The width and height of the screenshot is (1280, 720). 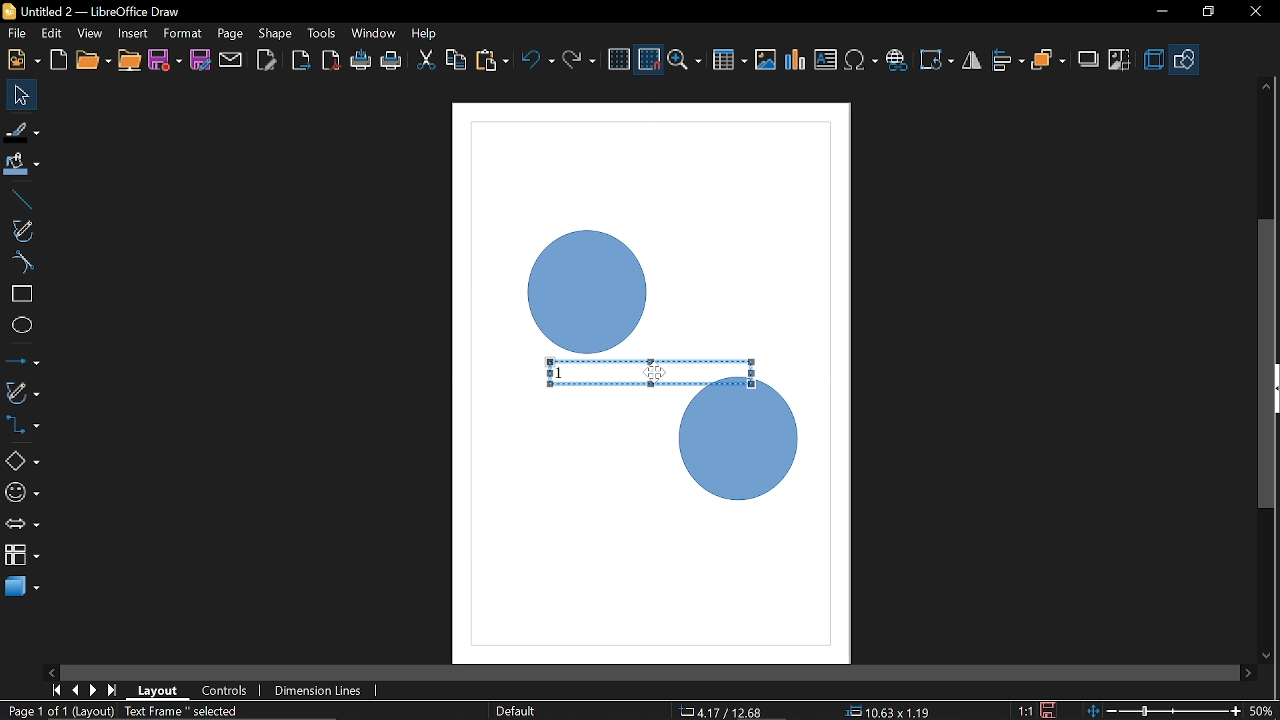 What do you see at coordinates (20, 262) in the screenshot?
I see `curve` at bounding box center [20, 262].